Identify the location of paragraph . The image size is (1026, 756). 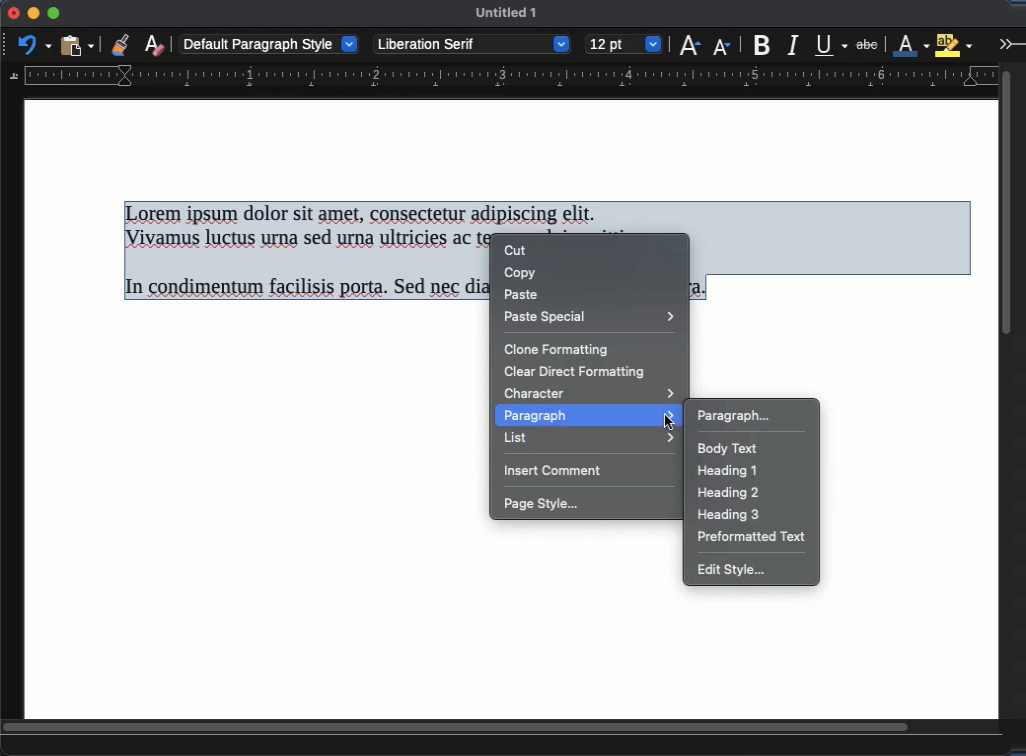
(734, 416).